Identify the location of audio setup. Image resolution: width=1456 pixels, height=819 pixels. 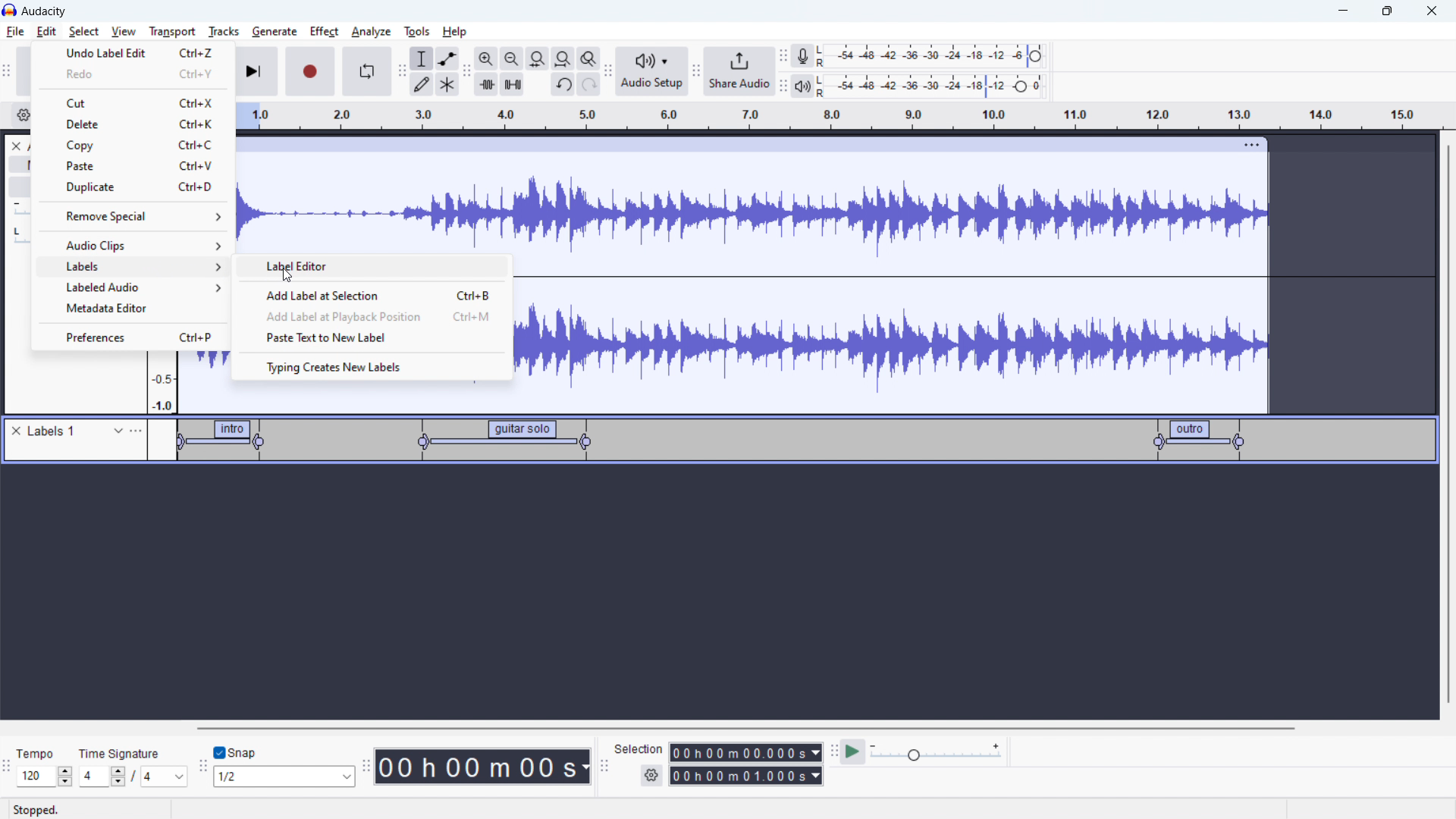
(652, 72).